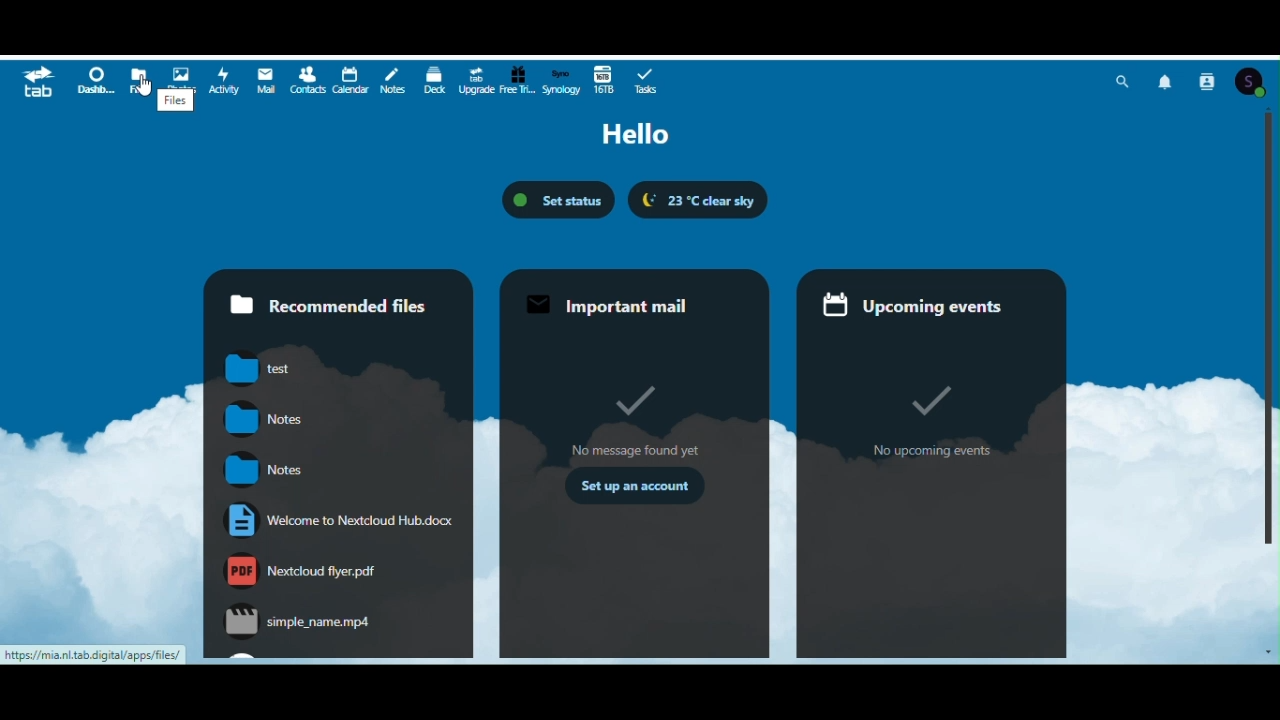 The width and height of the screenshot is (1280, 720). Describe the element at coordinates (350, 80) in the screenshot. I see `Calendar` at that location.